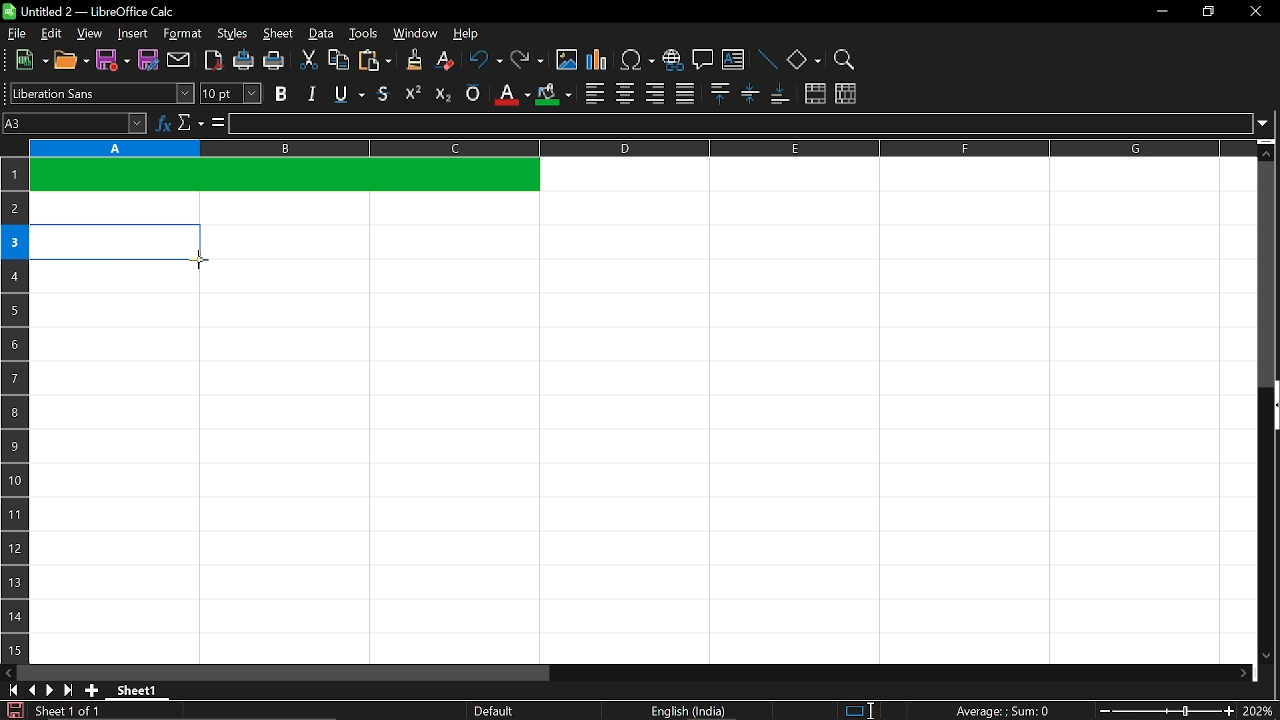  I want to click on justified, so click(685, 92).